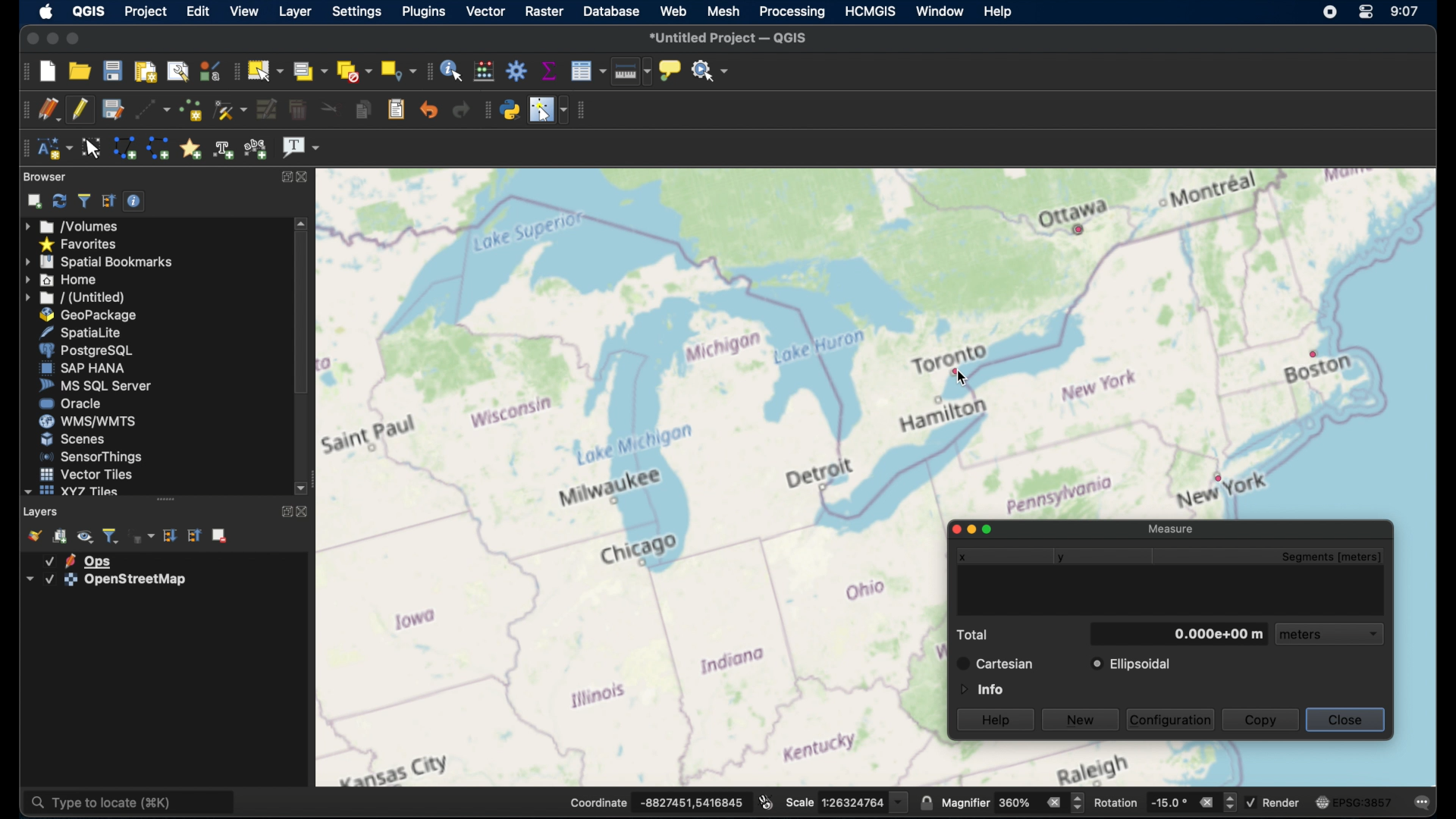 The width and height of the screenshot is (1456, 819). What do you see at coordinates (543, 11) in the screenshot?
I see `raster` at bounding box center [543, 11].